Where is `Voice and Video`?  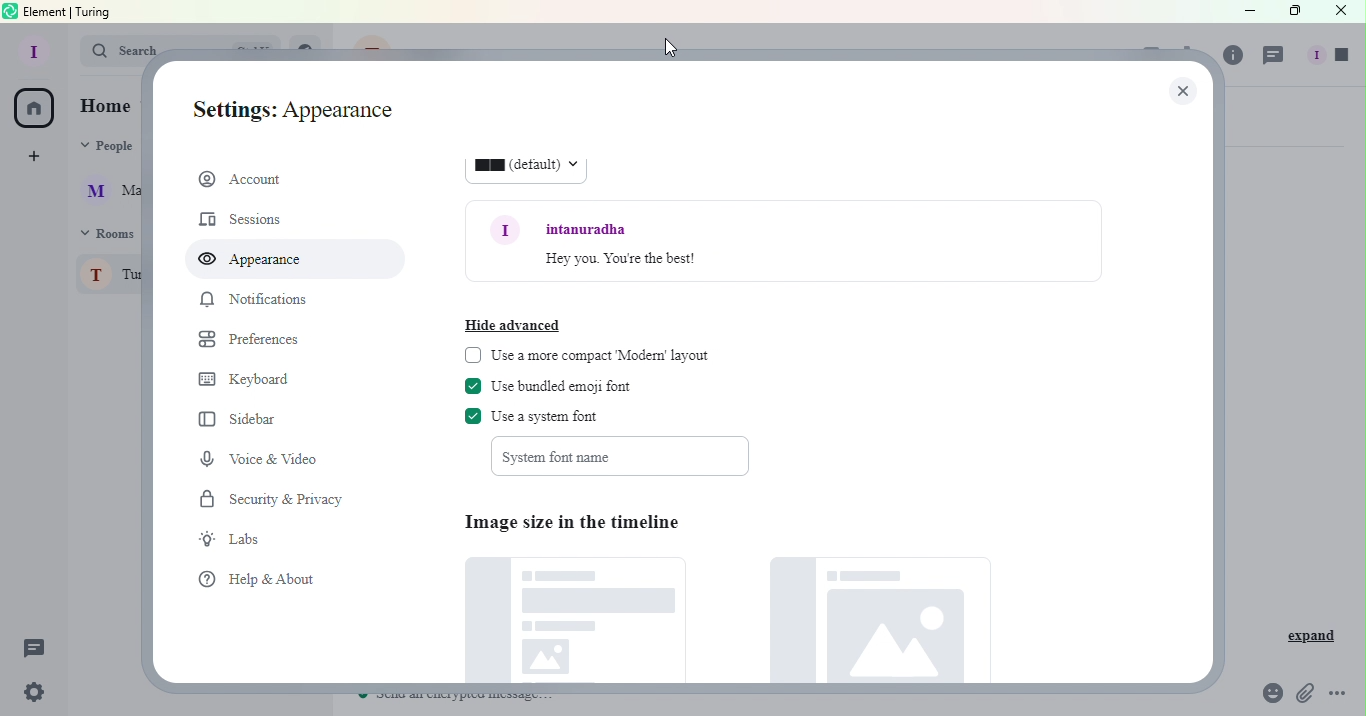
Voice and Video is located at coordinates (262, 458).